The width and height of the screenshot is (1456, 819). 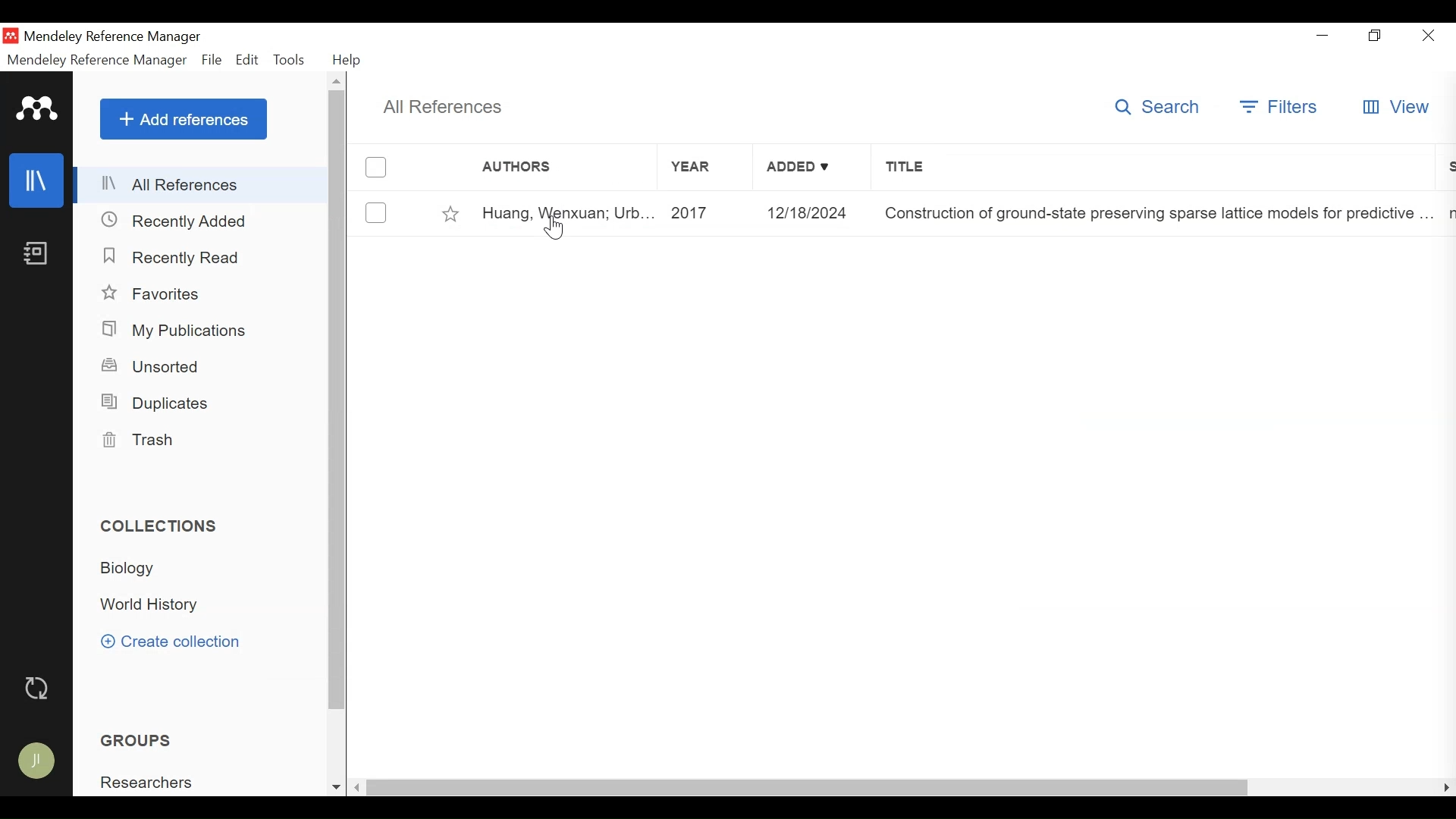 What do you see at coordinates (35, 180) in the screenshot?
I see `Library` at bounding box center [35, 180].